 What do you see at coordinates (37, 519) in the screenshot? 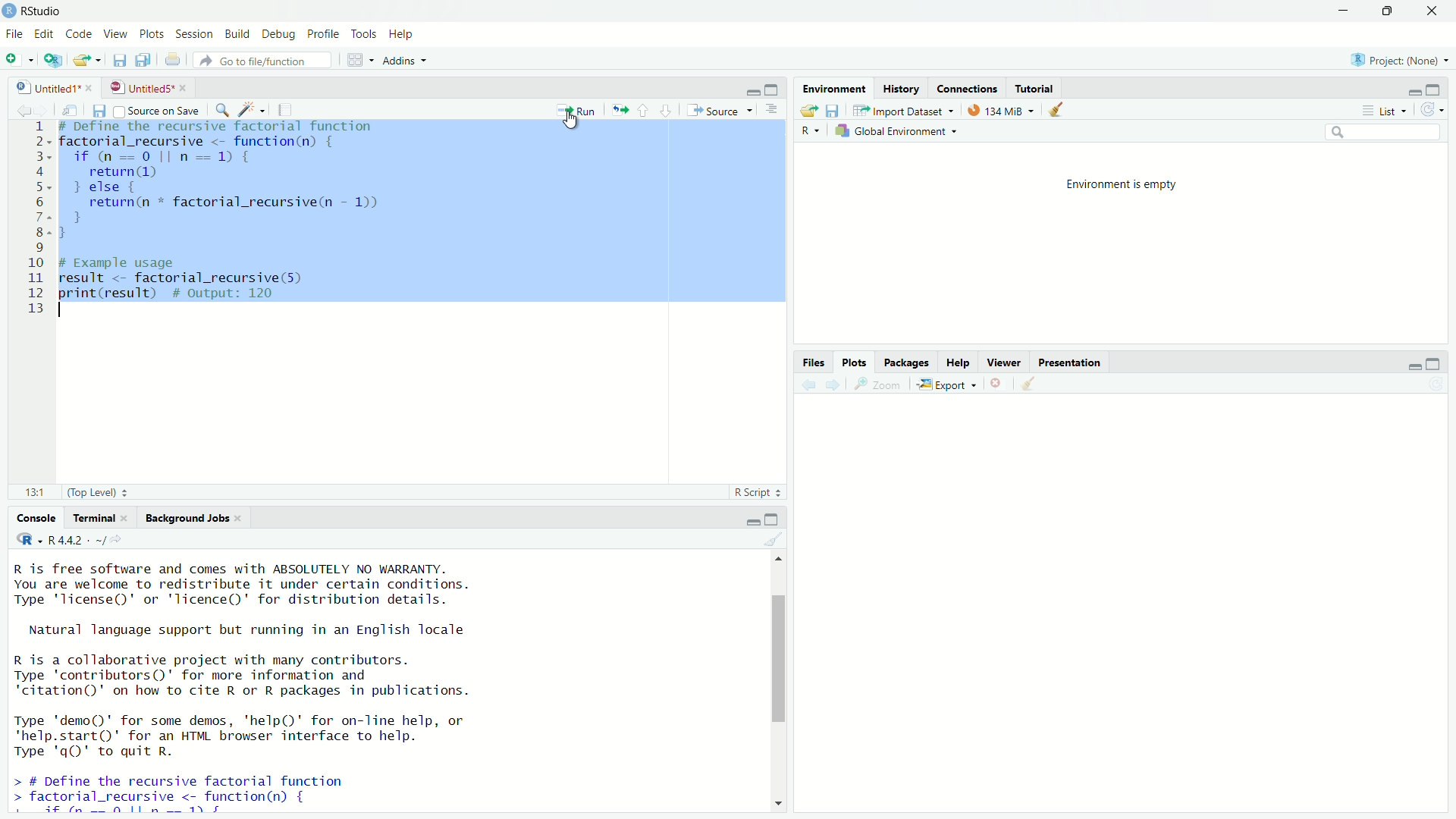
I see `Console` at bounding box center [37, 519].